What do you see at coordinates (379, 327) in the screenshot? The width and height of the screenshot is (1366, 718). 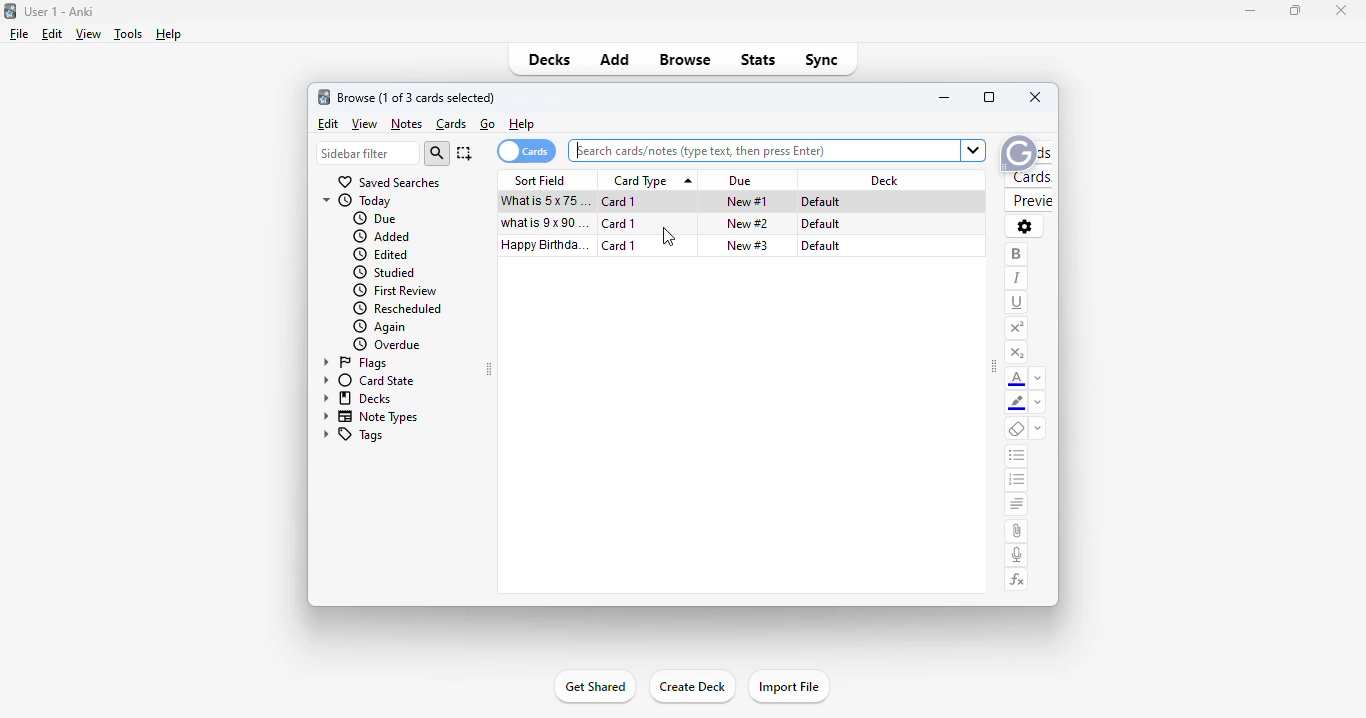 I see `again` at bounding box center [379, 327].